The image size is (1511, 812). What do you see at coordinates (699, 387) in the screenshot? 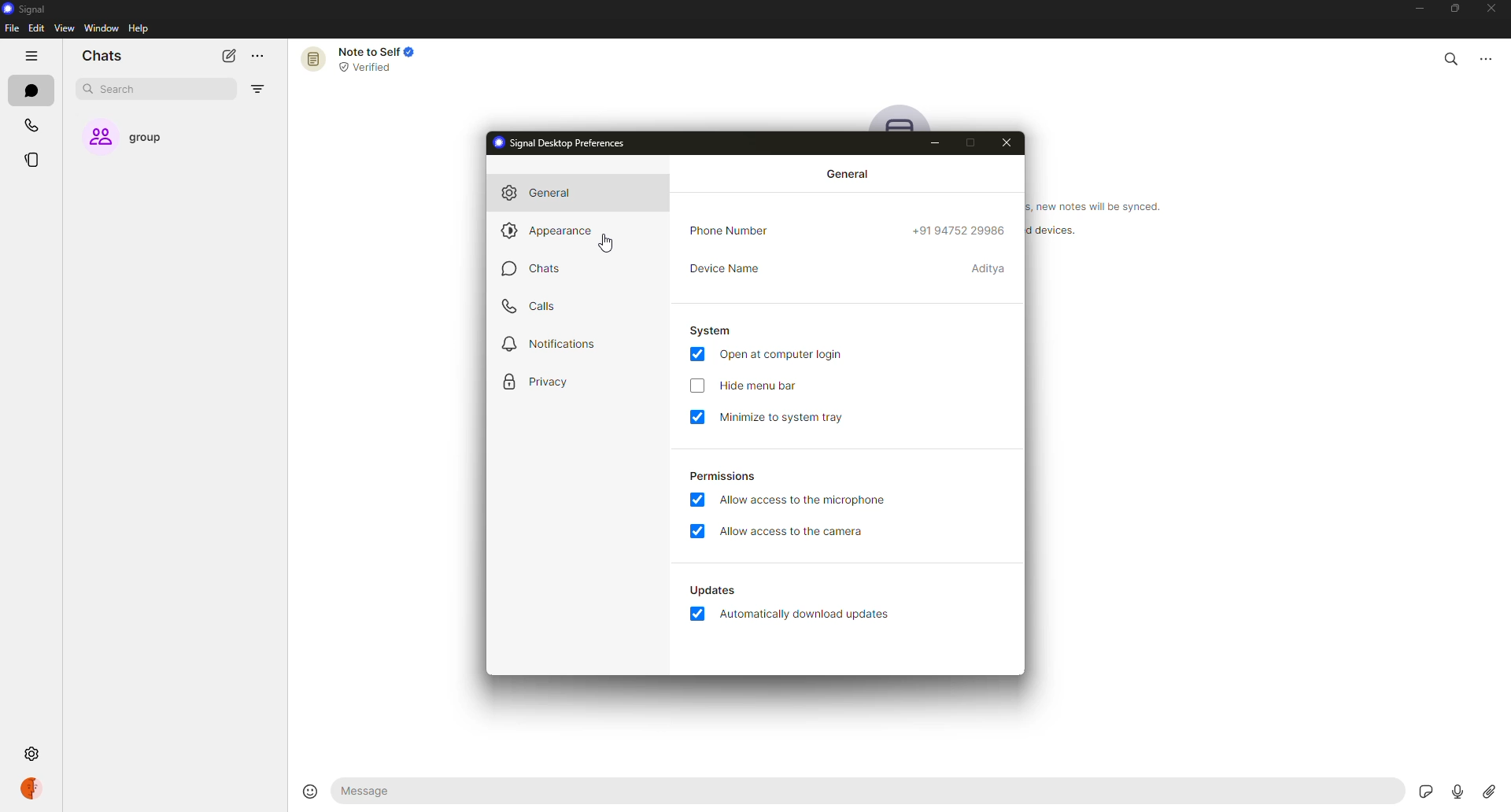
I see `enable` at bounding box center [699, 387].